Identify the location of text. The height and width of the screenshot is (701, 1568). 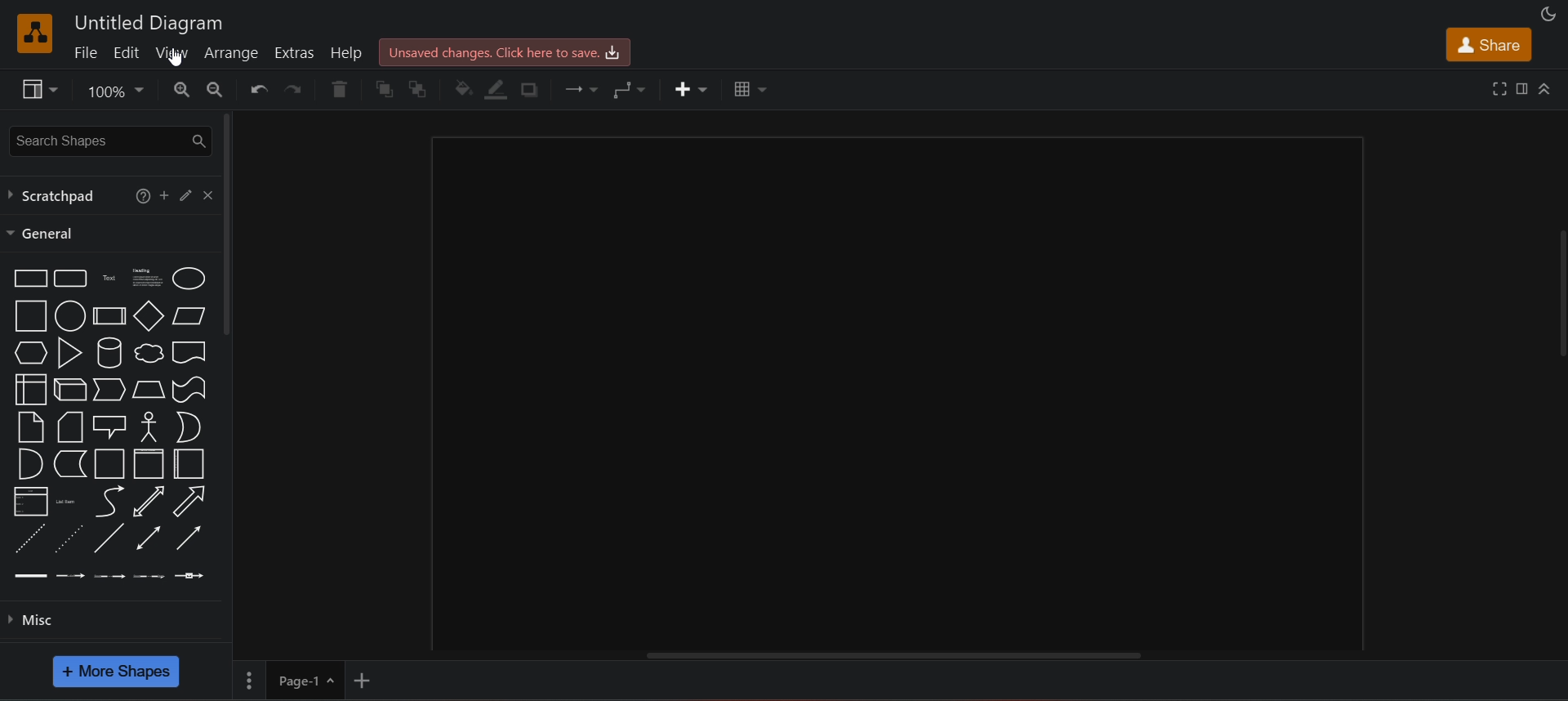
(109, 277).